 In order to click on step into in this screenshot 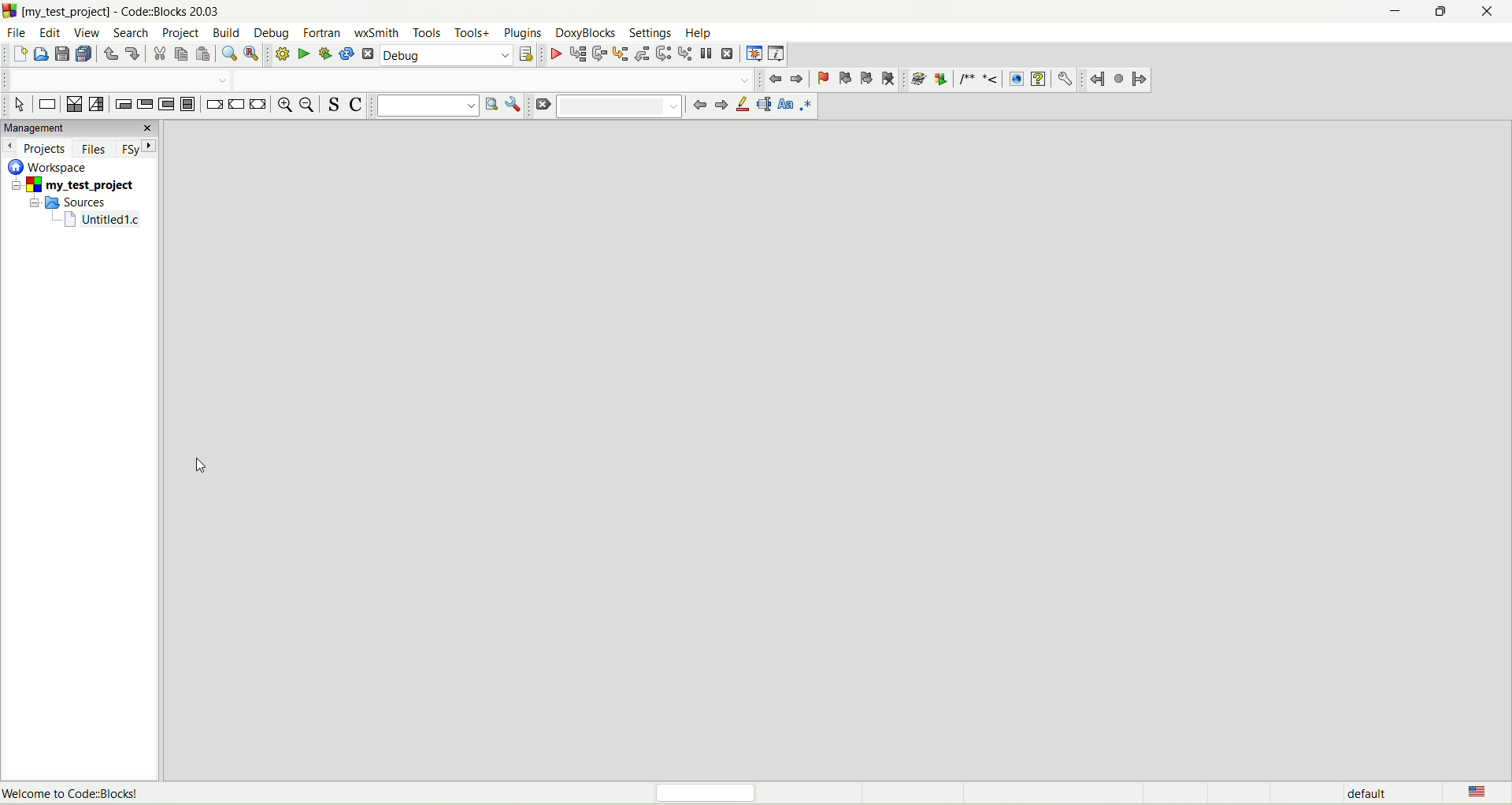, I will do `click(618, 55)`.